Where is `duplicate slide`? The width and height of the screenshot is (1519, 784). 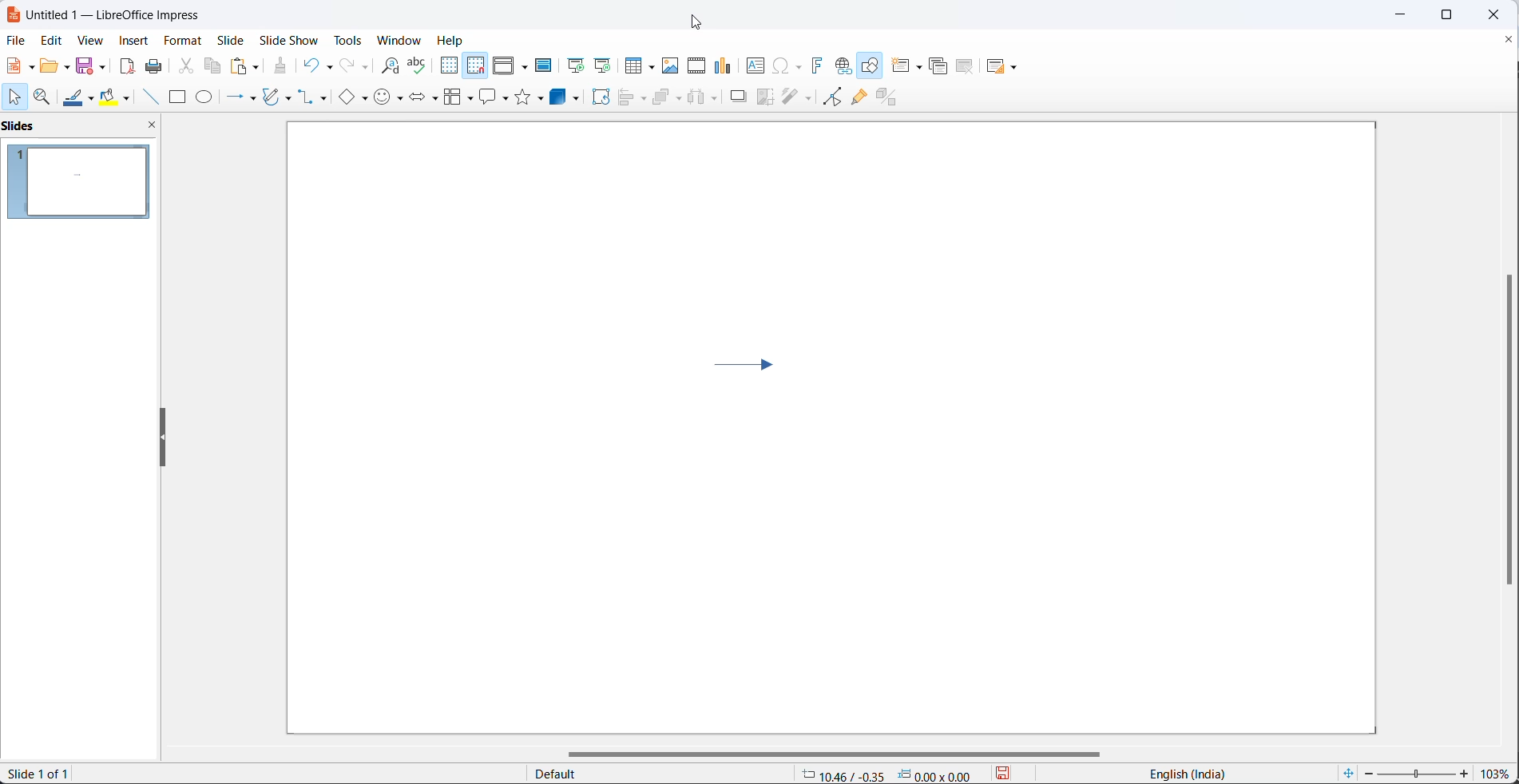 duplicate slide is located at coordinates (936, 68).